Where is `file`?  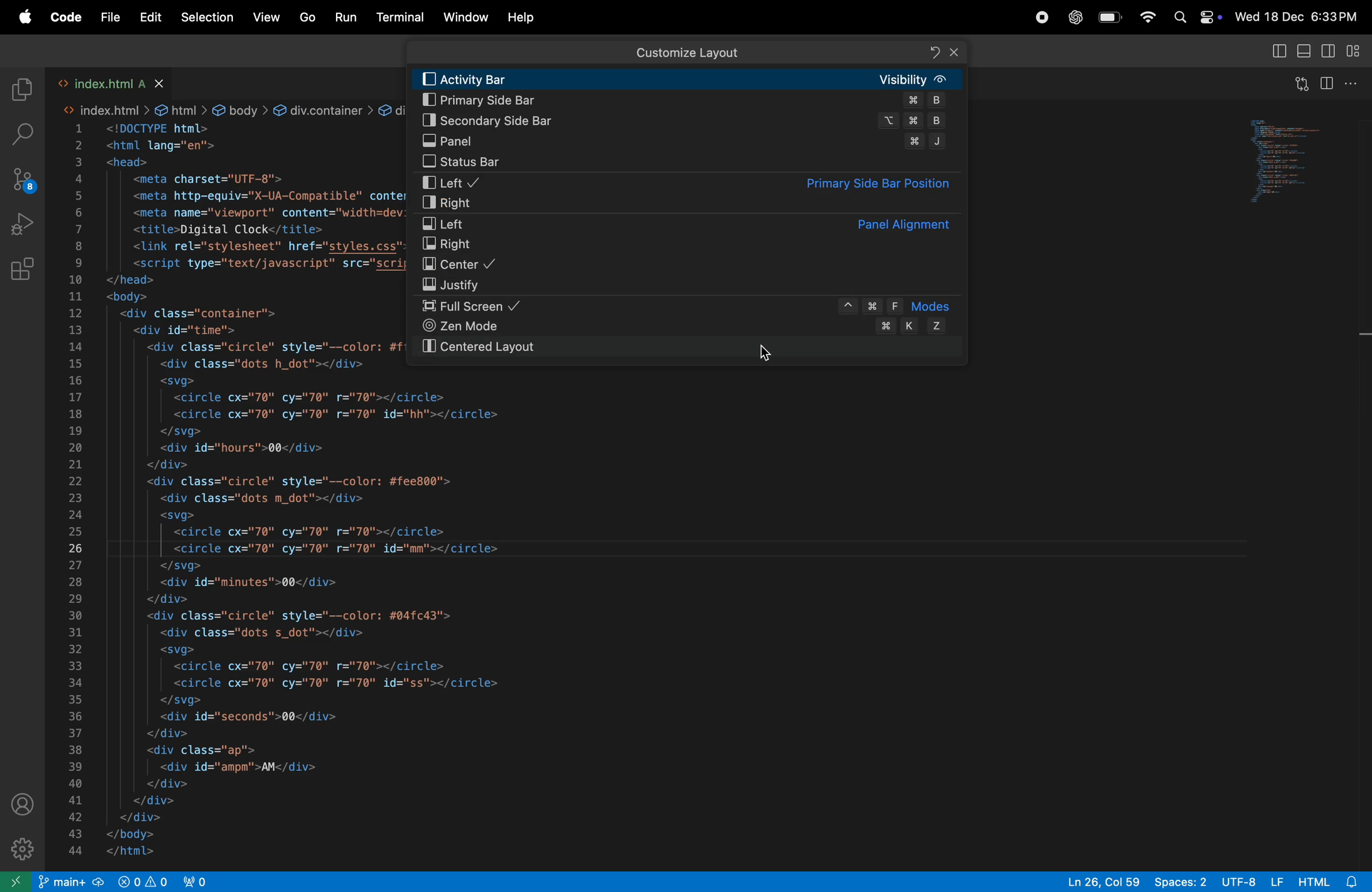
file is located at coordinates (108, 17).